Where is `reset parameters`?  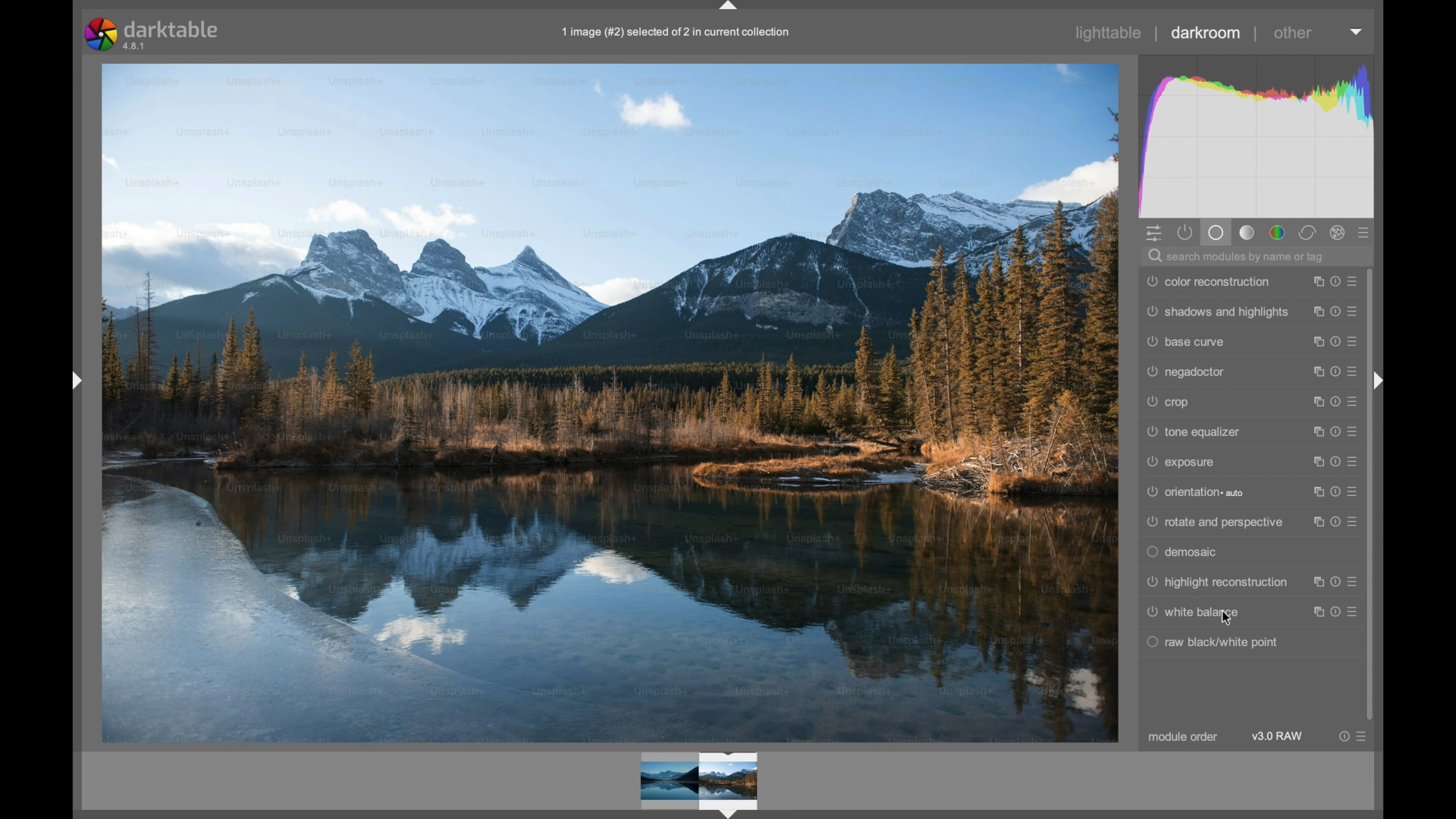
reset parameters is located at coordinates (1334, 462).